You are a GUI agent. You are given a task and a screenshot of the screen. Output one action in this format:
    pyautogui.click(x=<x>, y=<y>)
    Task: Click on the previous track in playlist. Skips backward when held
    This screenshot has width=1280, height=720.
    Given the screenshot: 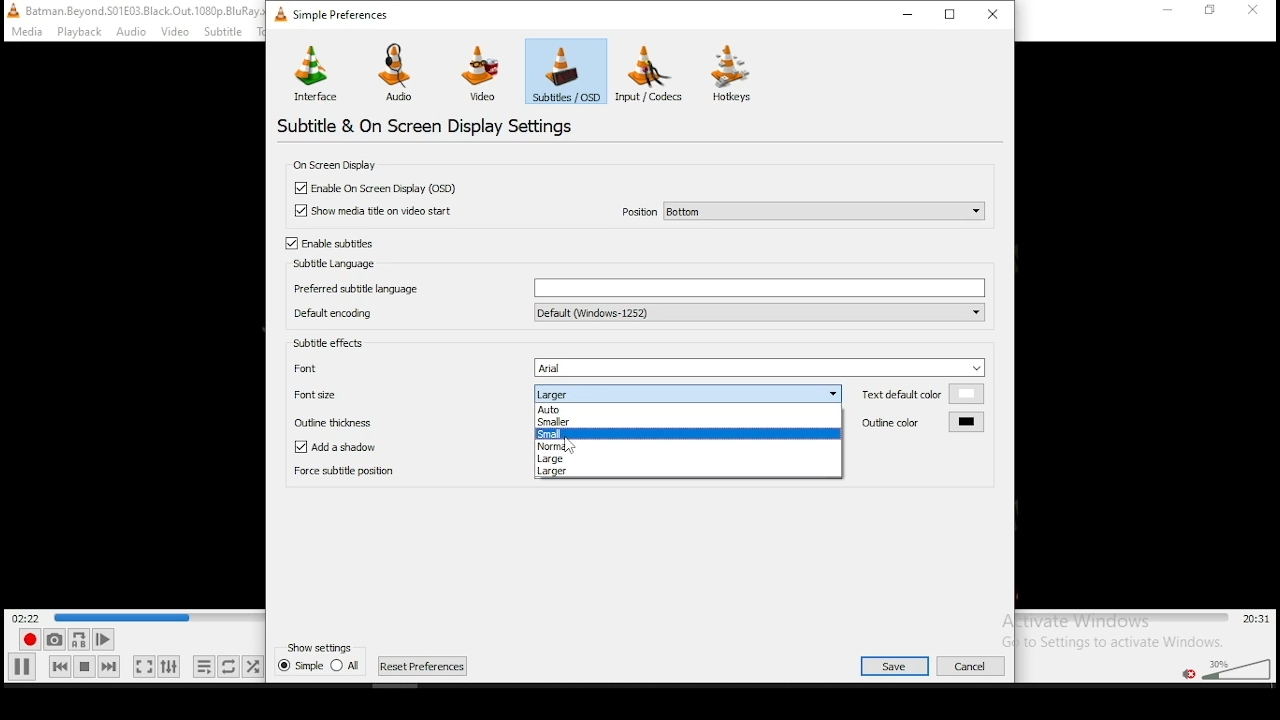 What is the action you would take?
    pyautogui.click(x=59, y=665)
    